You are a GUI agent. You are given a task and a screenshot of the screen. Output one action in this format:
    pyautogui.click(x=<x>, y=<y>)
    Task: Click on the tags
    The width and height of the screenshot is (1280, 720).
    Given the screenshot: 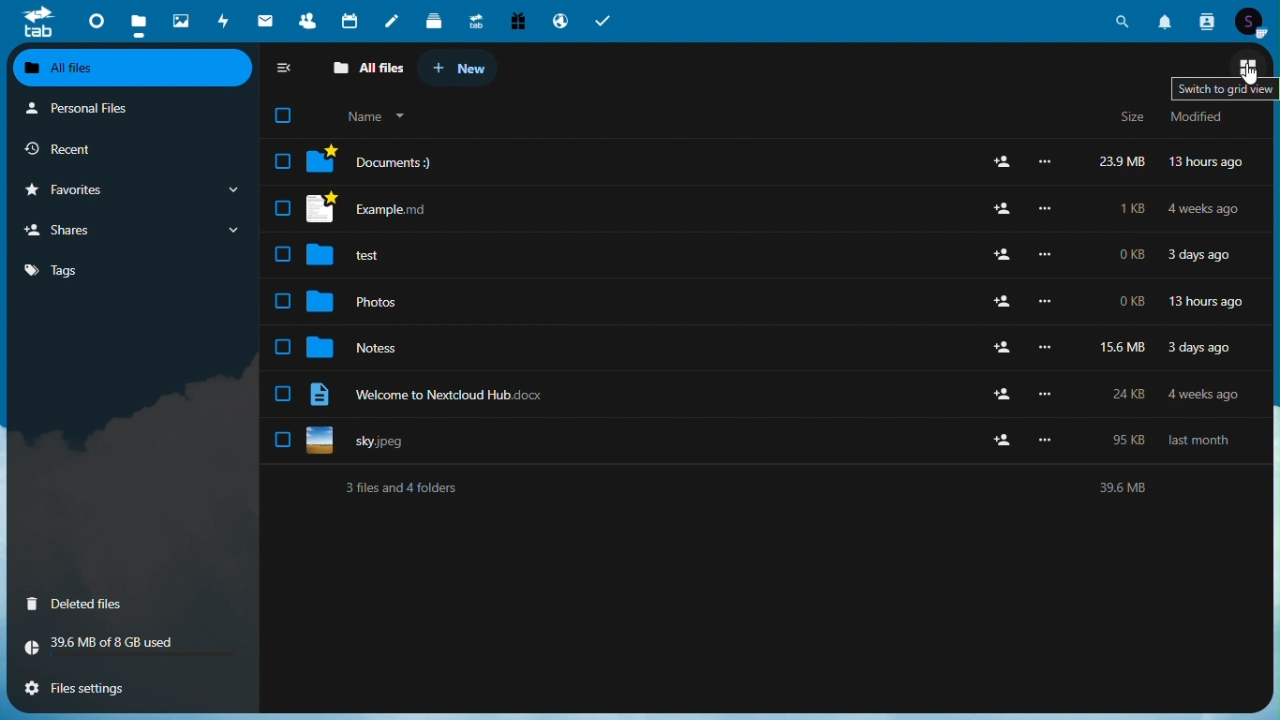 What is the action you would take?
    pyautogui.click(x=130, y=271)
    